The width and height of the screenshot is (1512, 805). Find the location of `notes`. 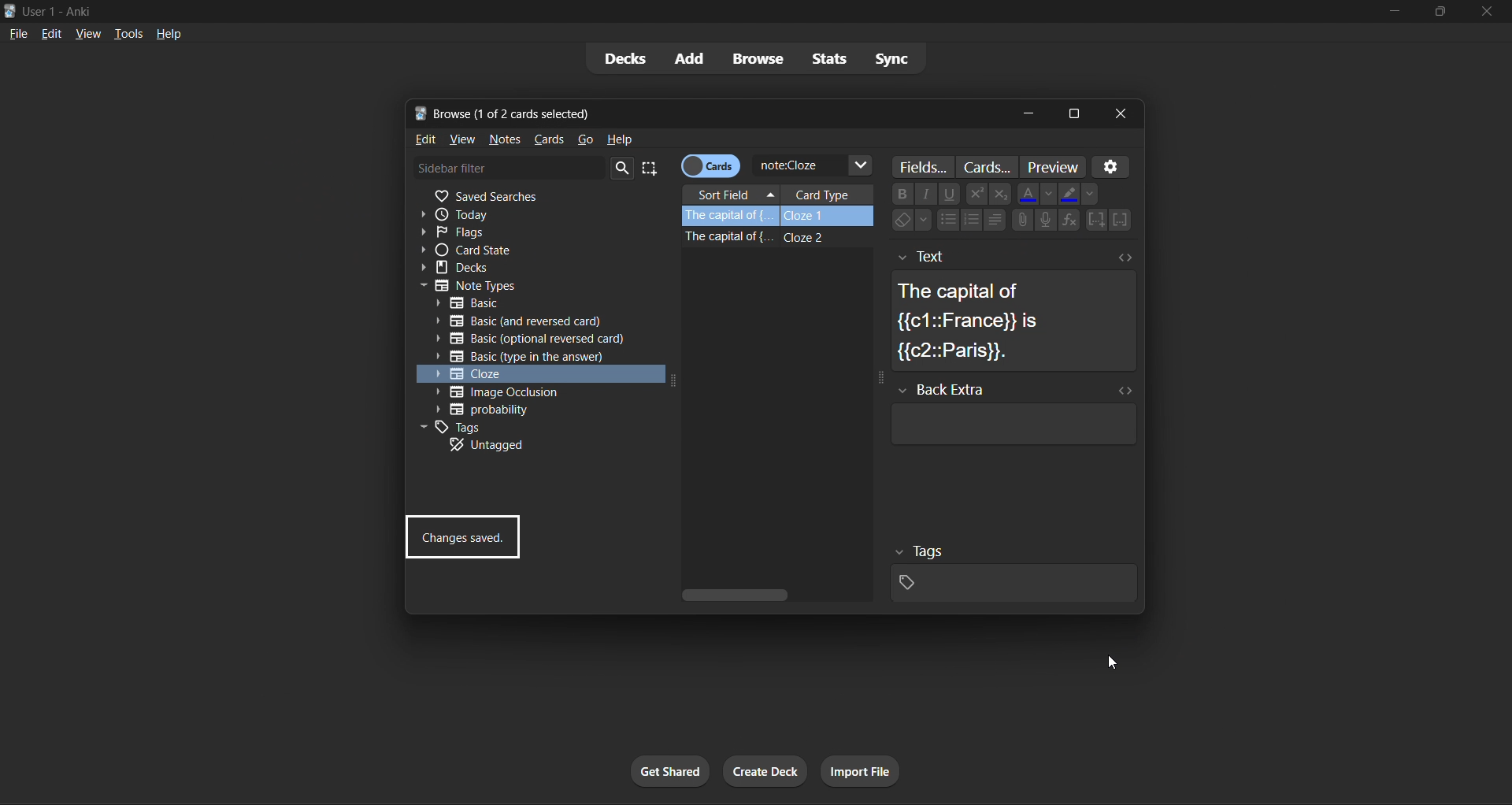

notes is located at coordinates (502, 139).